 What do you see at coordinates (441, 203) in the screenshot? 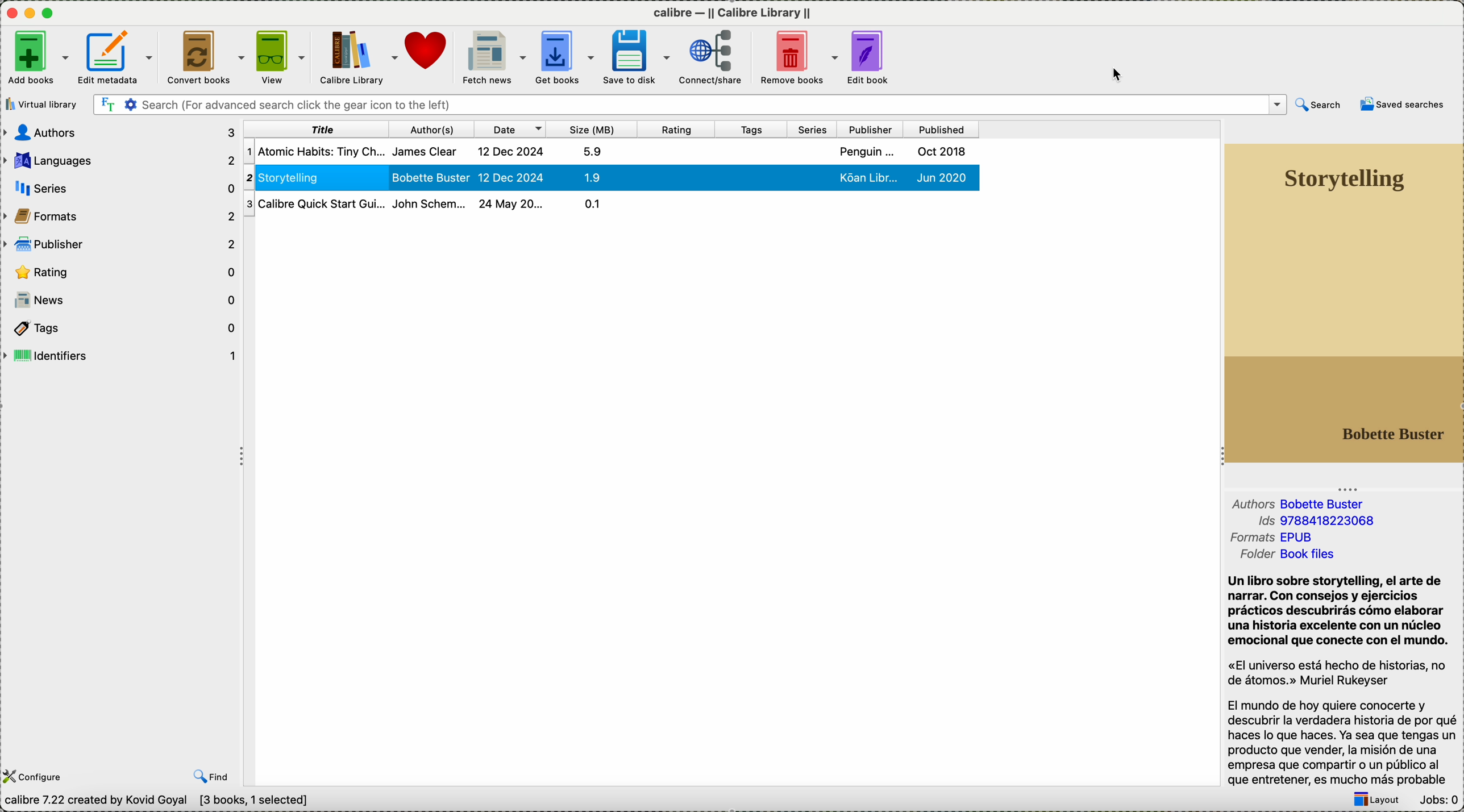
I see `calibre quick start guide` at bounding box center [441, 203].